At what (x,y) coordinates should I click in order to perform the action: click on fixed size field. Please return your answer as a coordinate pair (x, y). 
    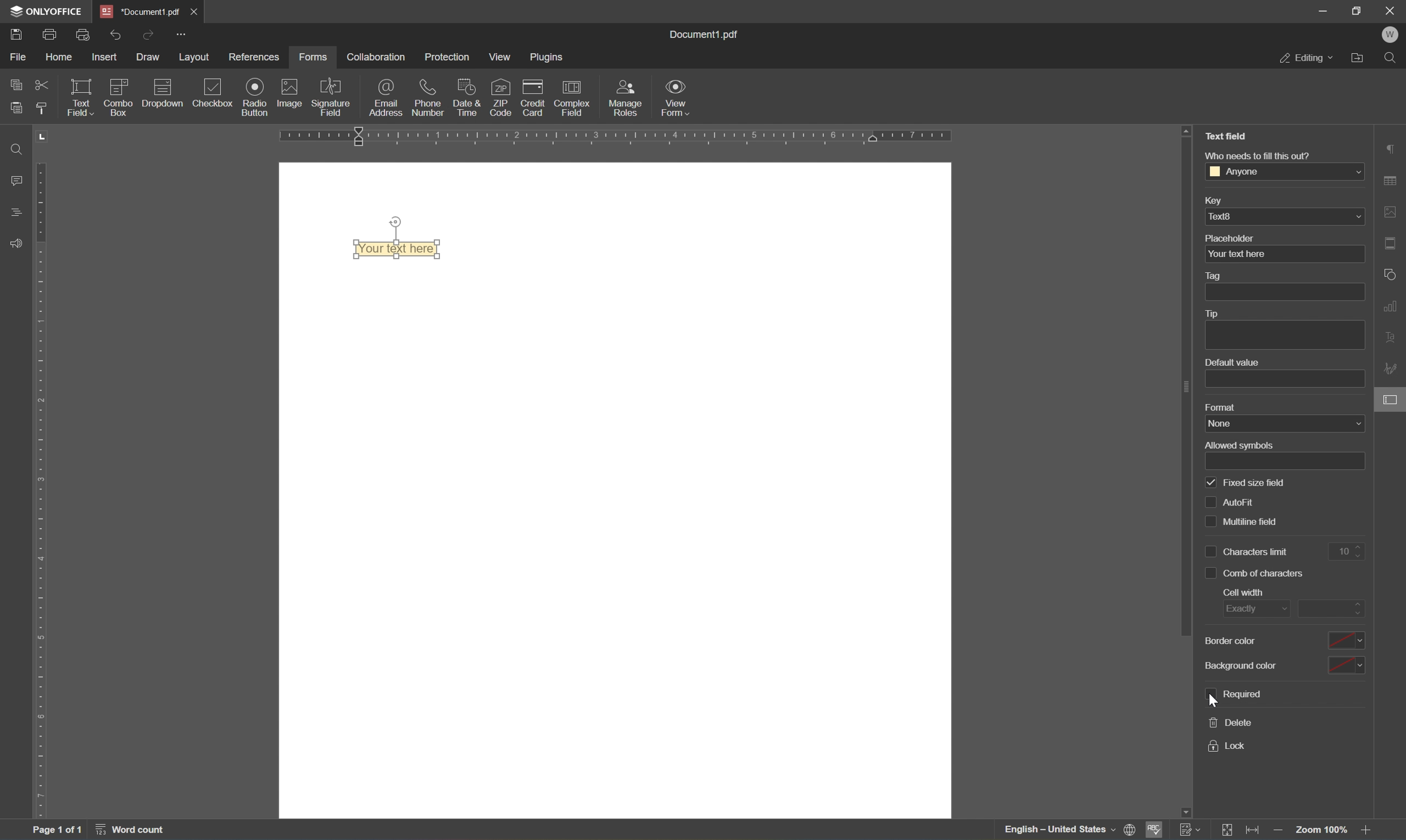
    Looking at the image, I should click on (1246, 483).